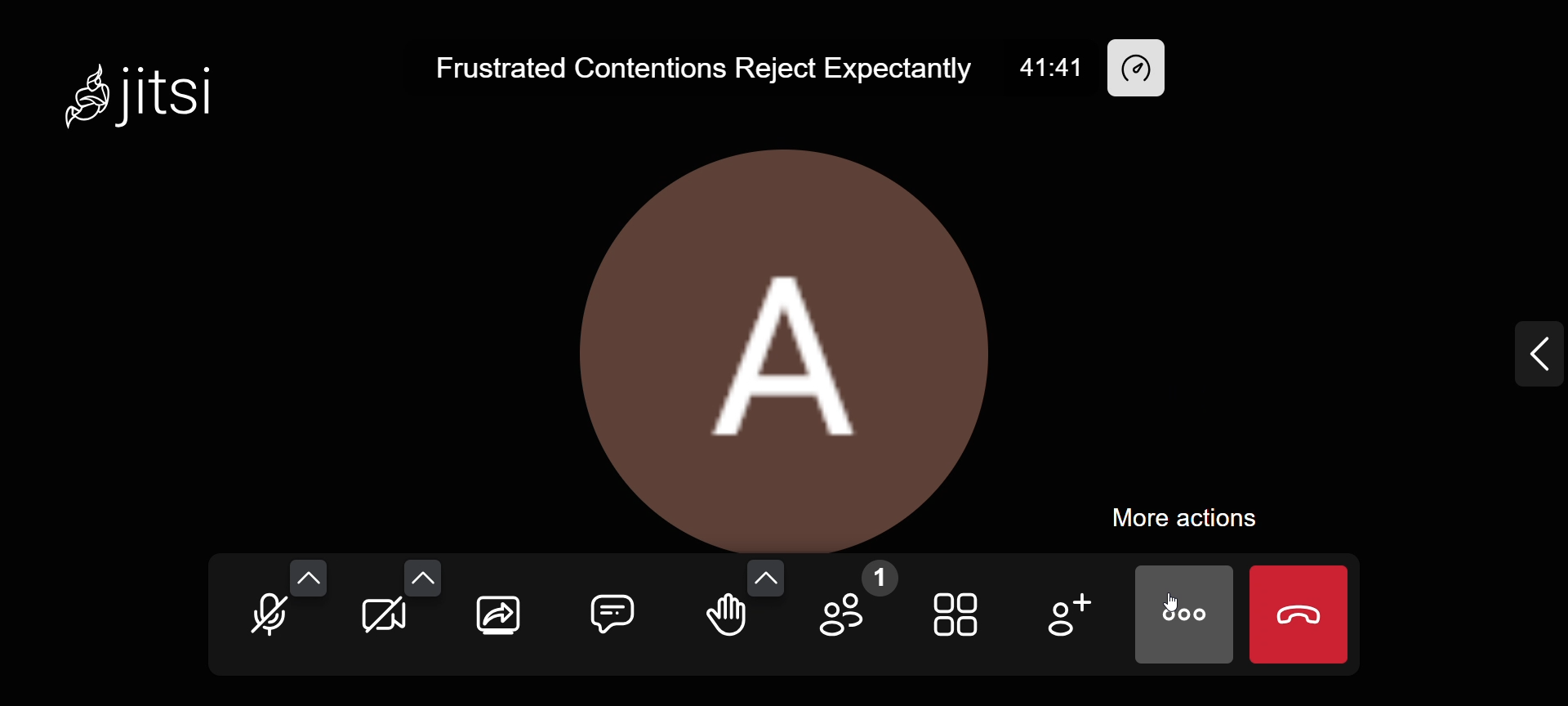 The image size is (1568, 706). Describe the element at coordinates (497, 614) in the screenshot. I see `share screen` at that location.